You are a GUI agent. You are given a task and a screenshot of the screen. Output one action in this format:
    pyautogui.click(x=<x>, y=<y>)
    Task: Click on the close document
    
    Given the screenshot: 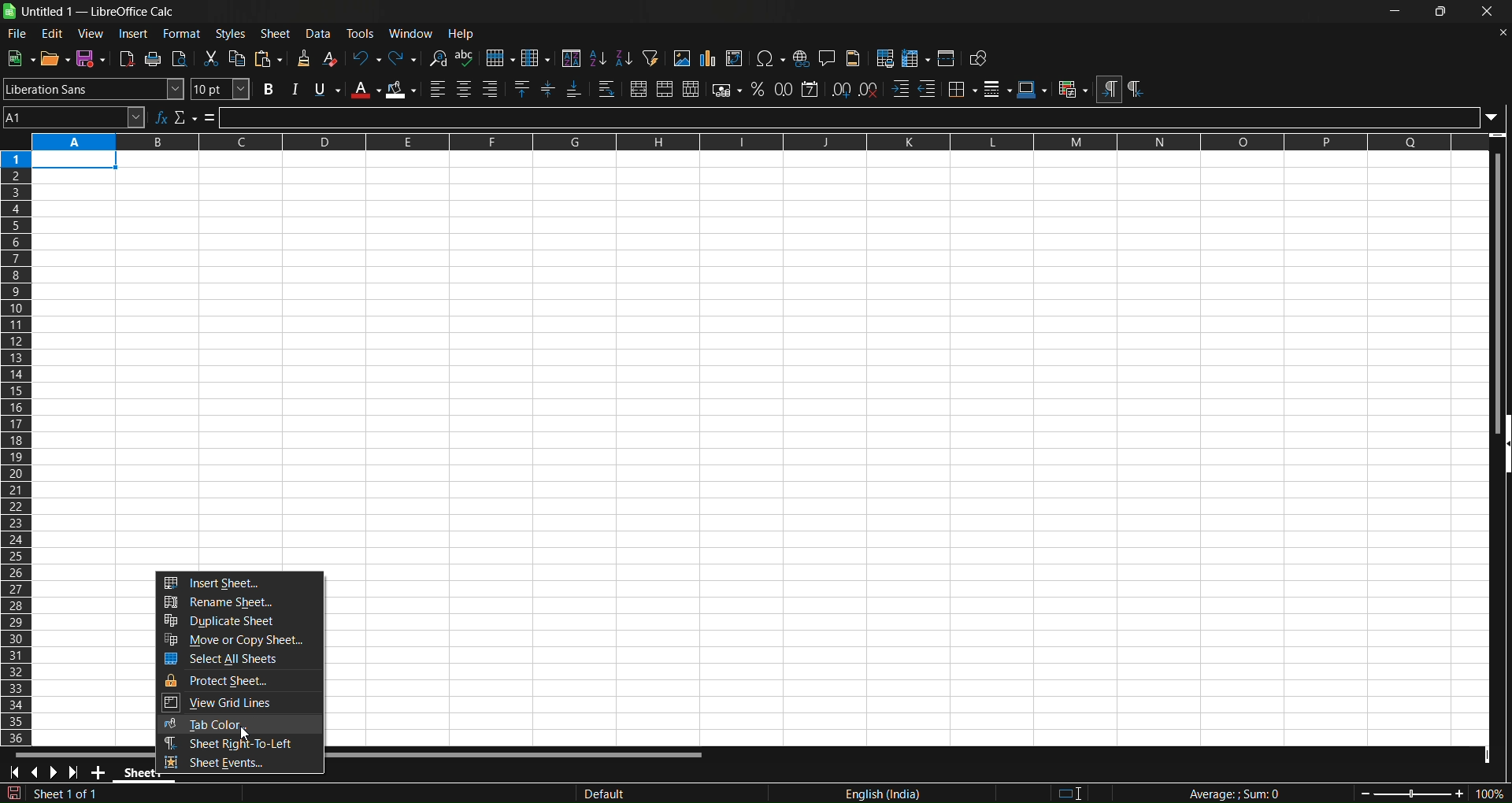 What is the action you would take?
    pyautogui.click(x=1499, y=31)
    